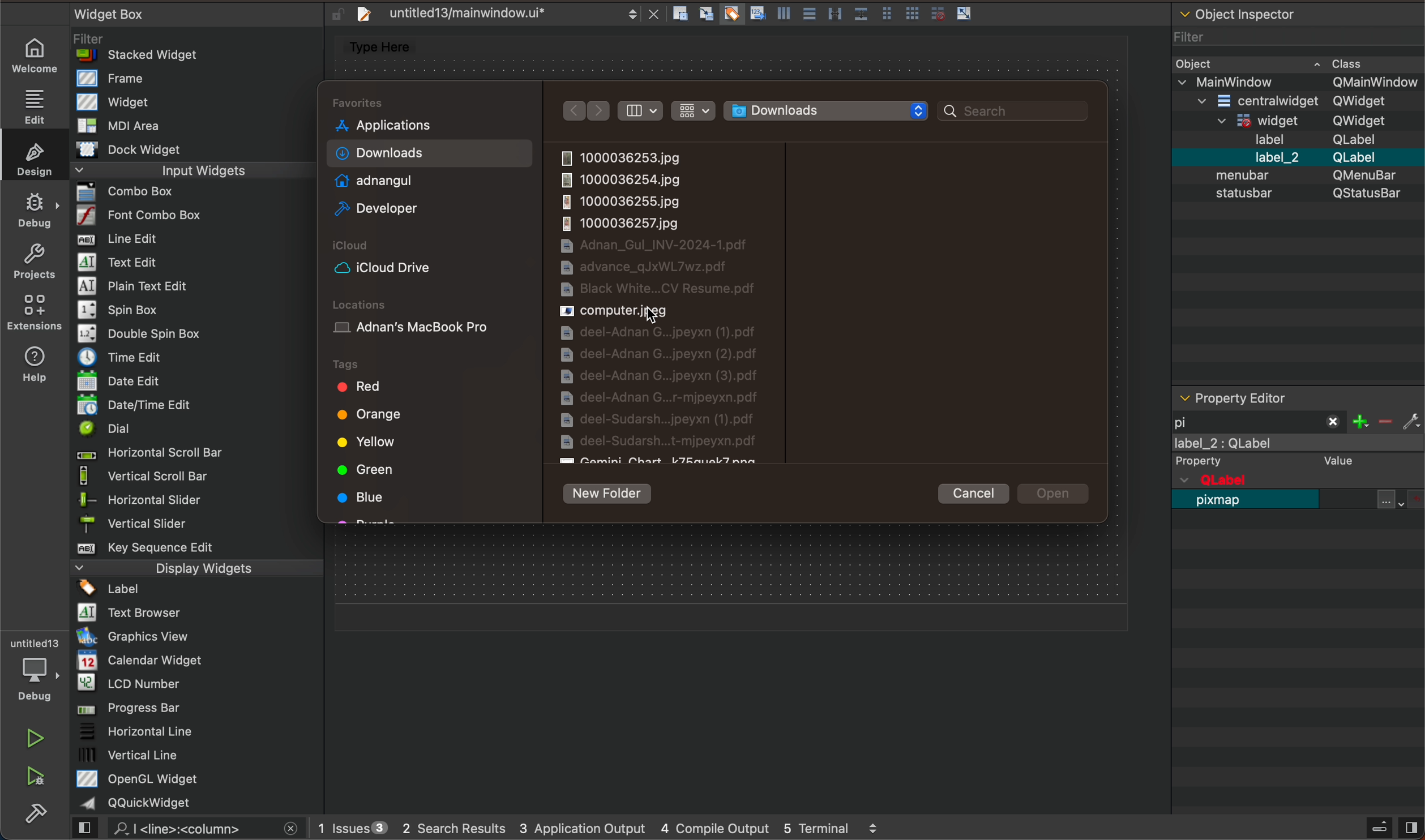  I want to click on projects, so click(33, 259).